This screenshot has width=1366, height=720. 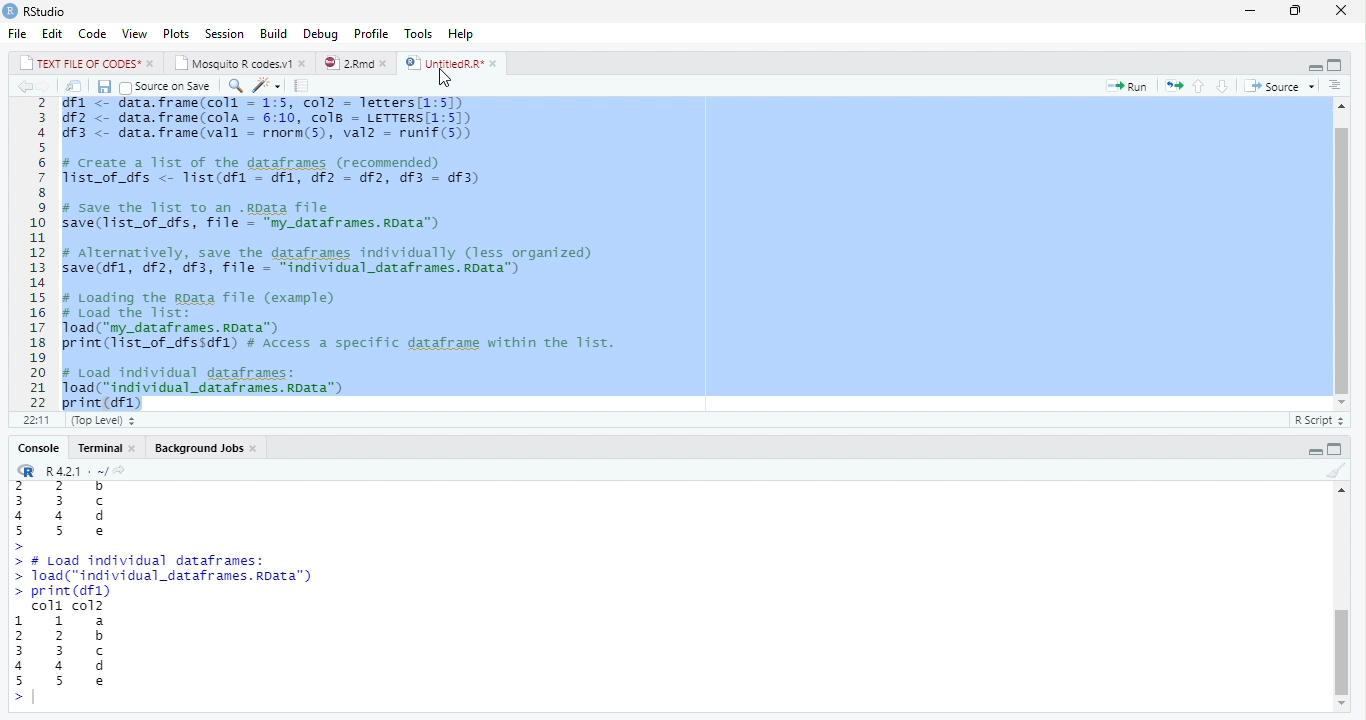 What do you see at coordinates (1252, 10) in the screenshot?
I see `Minimize` at bounding box center [1252, 10].